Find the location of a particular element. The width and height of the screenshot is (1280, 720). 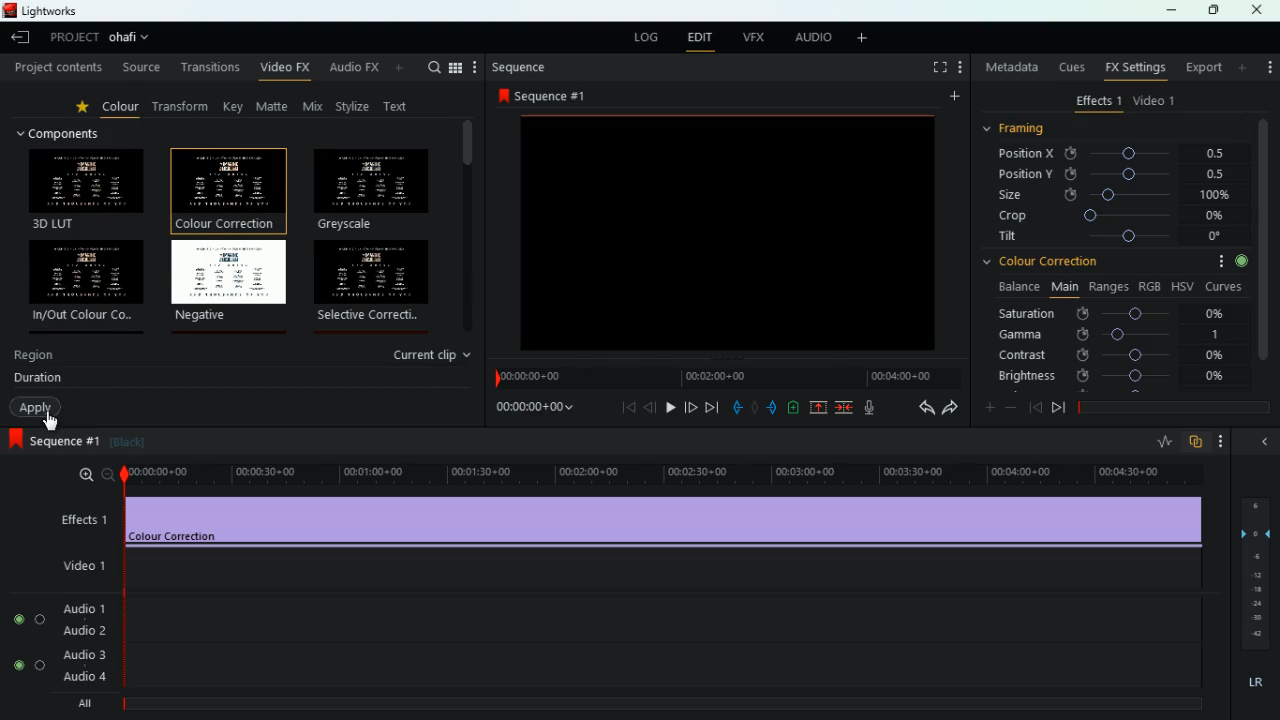

region is located at coordinates (36, 358).